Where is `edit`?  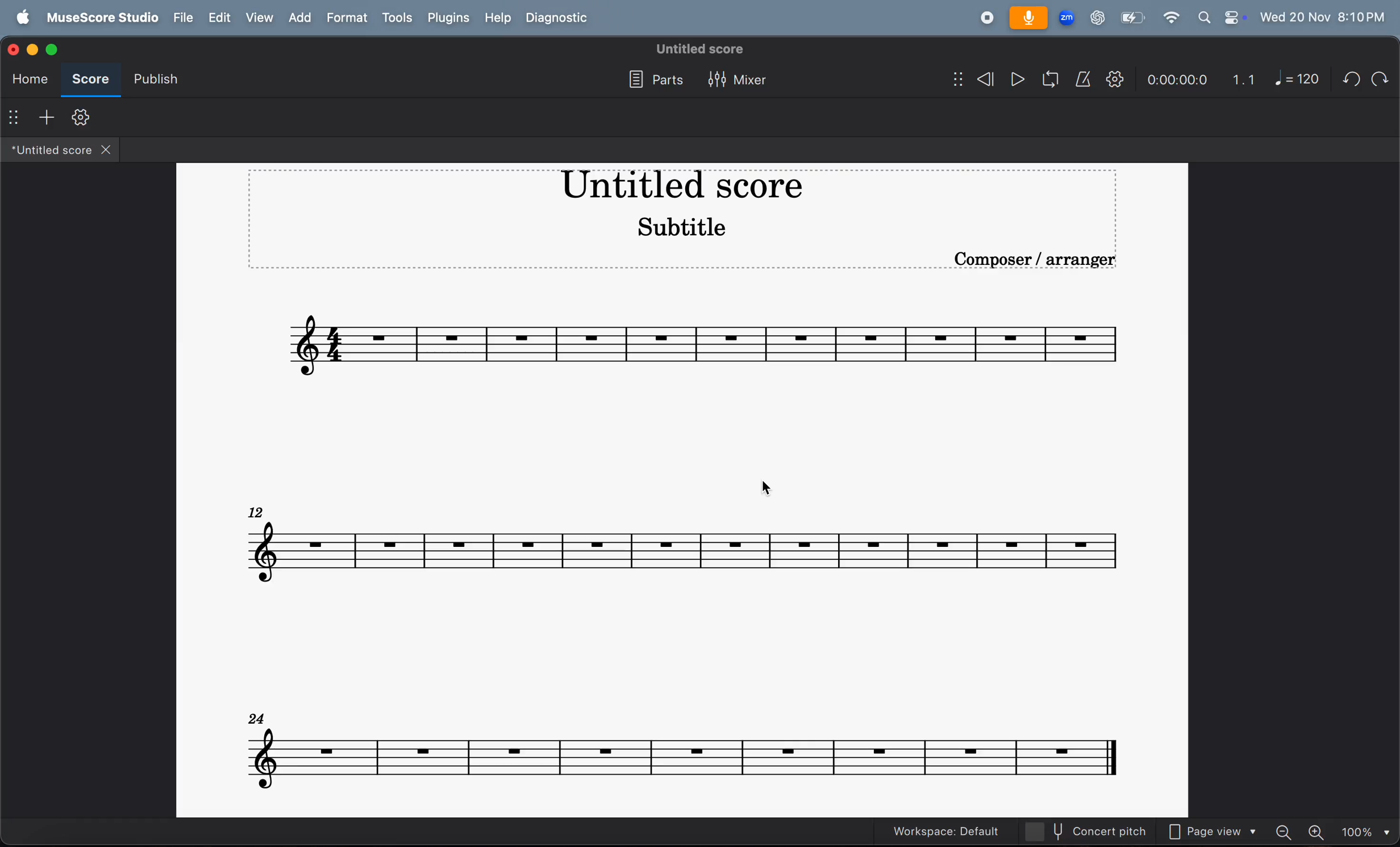 edit is located at coordinates (221, 18).